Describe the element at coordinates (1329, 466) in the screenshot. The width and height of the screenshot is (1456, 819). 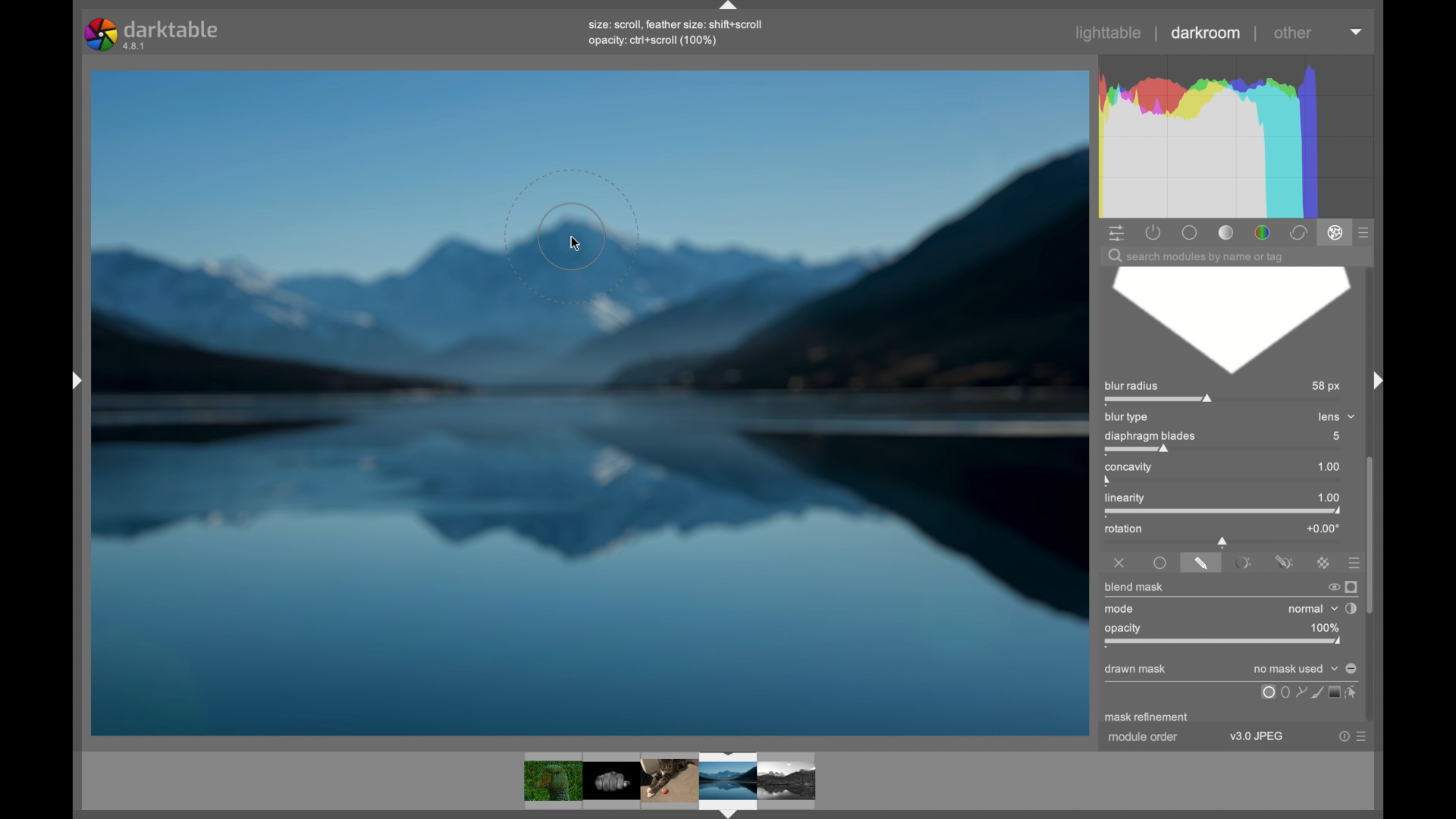
I see `1.00` at that location.